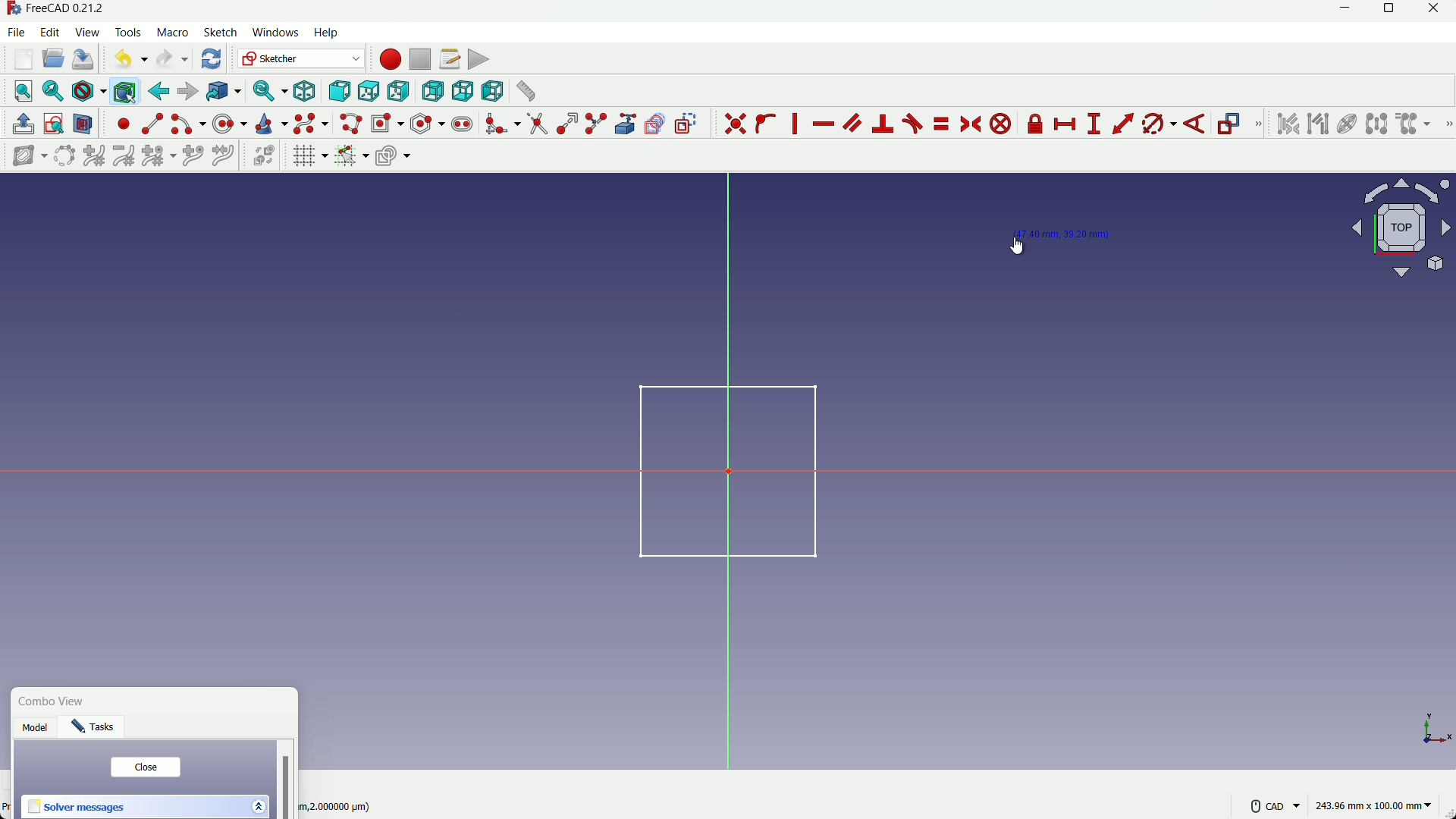  I want to click on back, so click(158, 91).